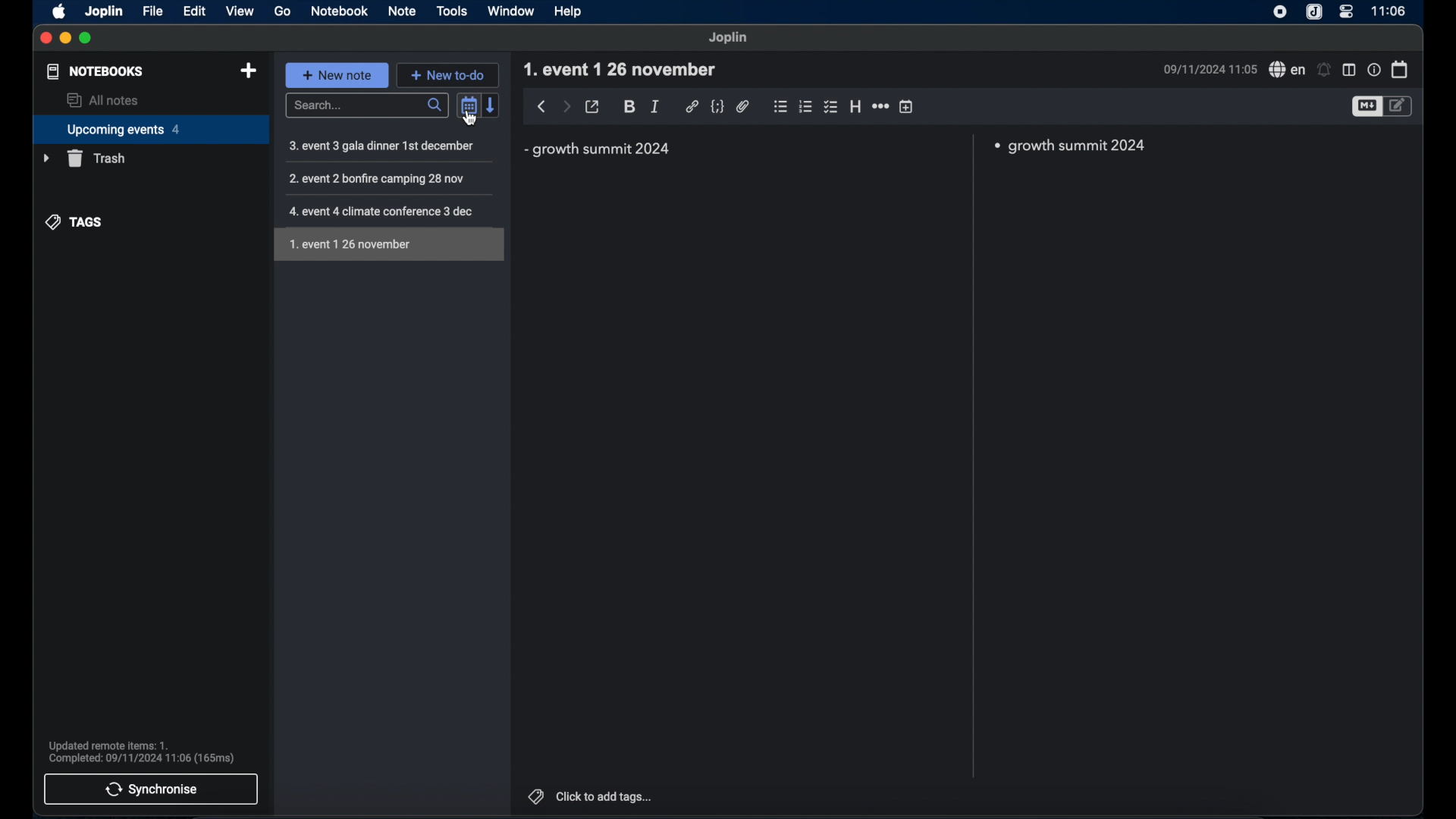 The image size is (1456, 819). I want to click on note, so click(402, 11).